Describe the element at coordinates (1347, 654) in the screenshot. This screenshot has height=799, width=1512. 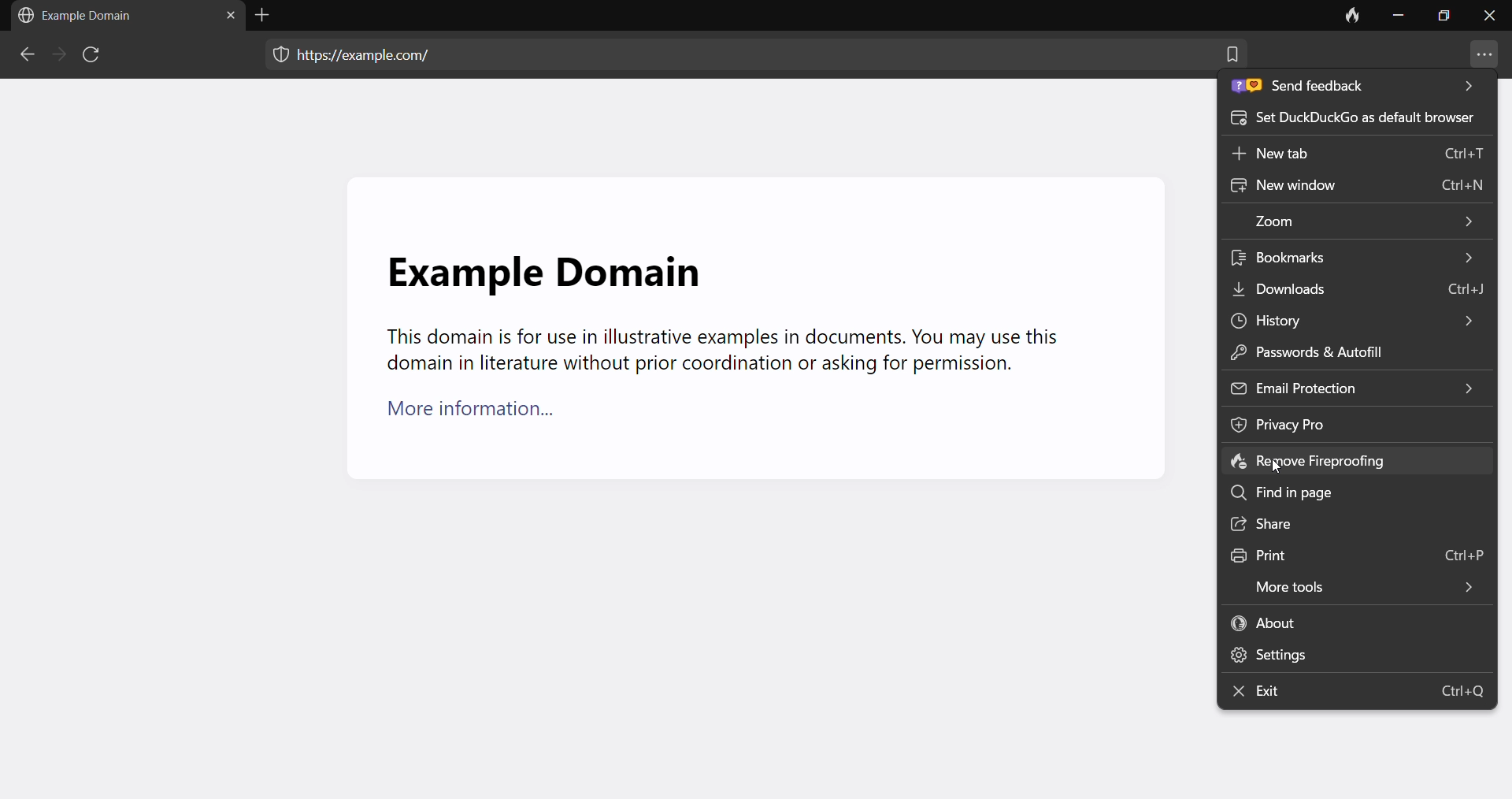
I see `settings` at that location.